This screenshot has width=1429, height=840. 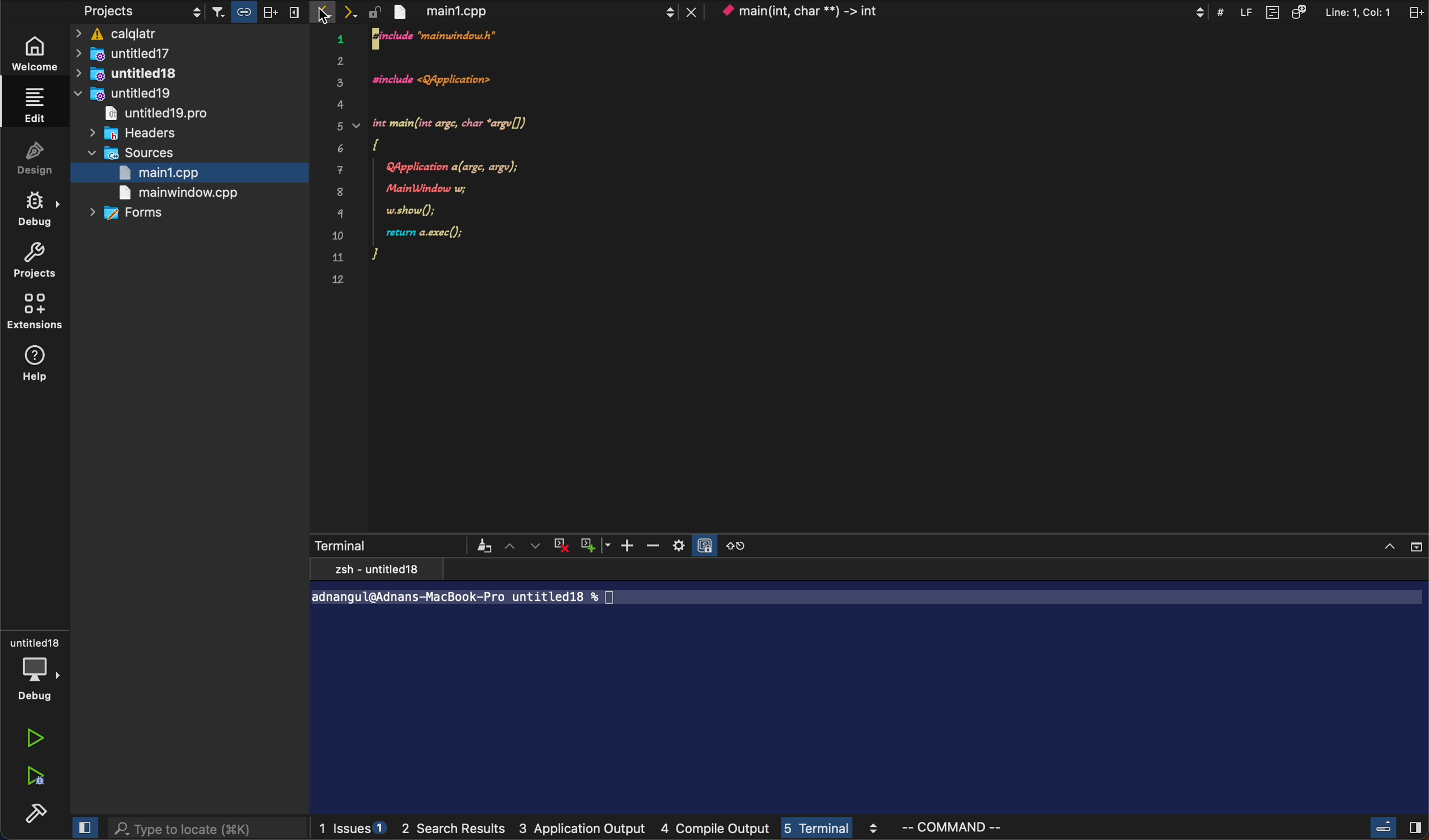 I want to click on close slide bar, so click(x=85, y=827).